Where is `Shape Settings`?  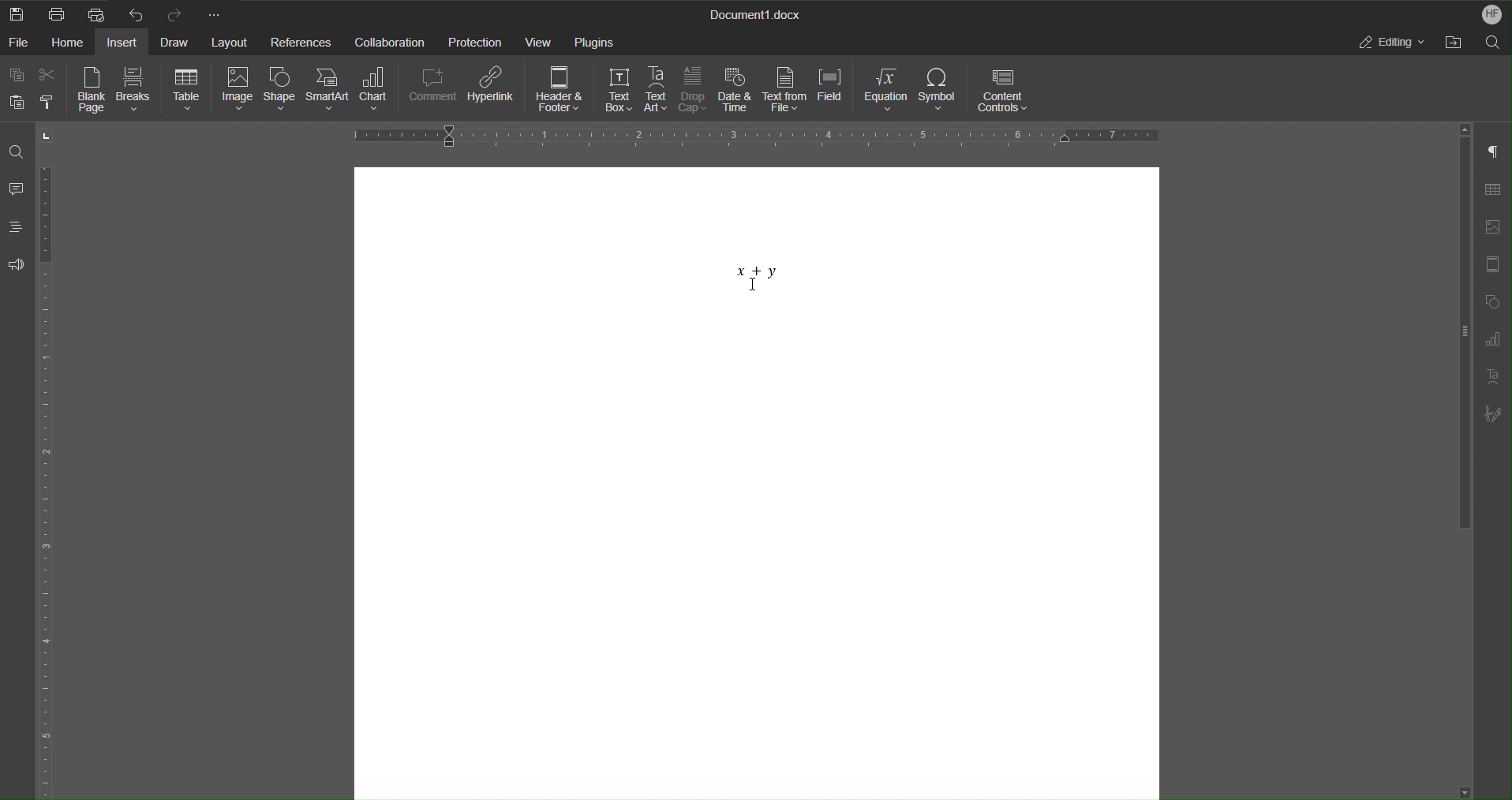 Shape Settings is located at coordinates (1491, 301).